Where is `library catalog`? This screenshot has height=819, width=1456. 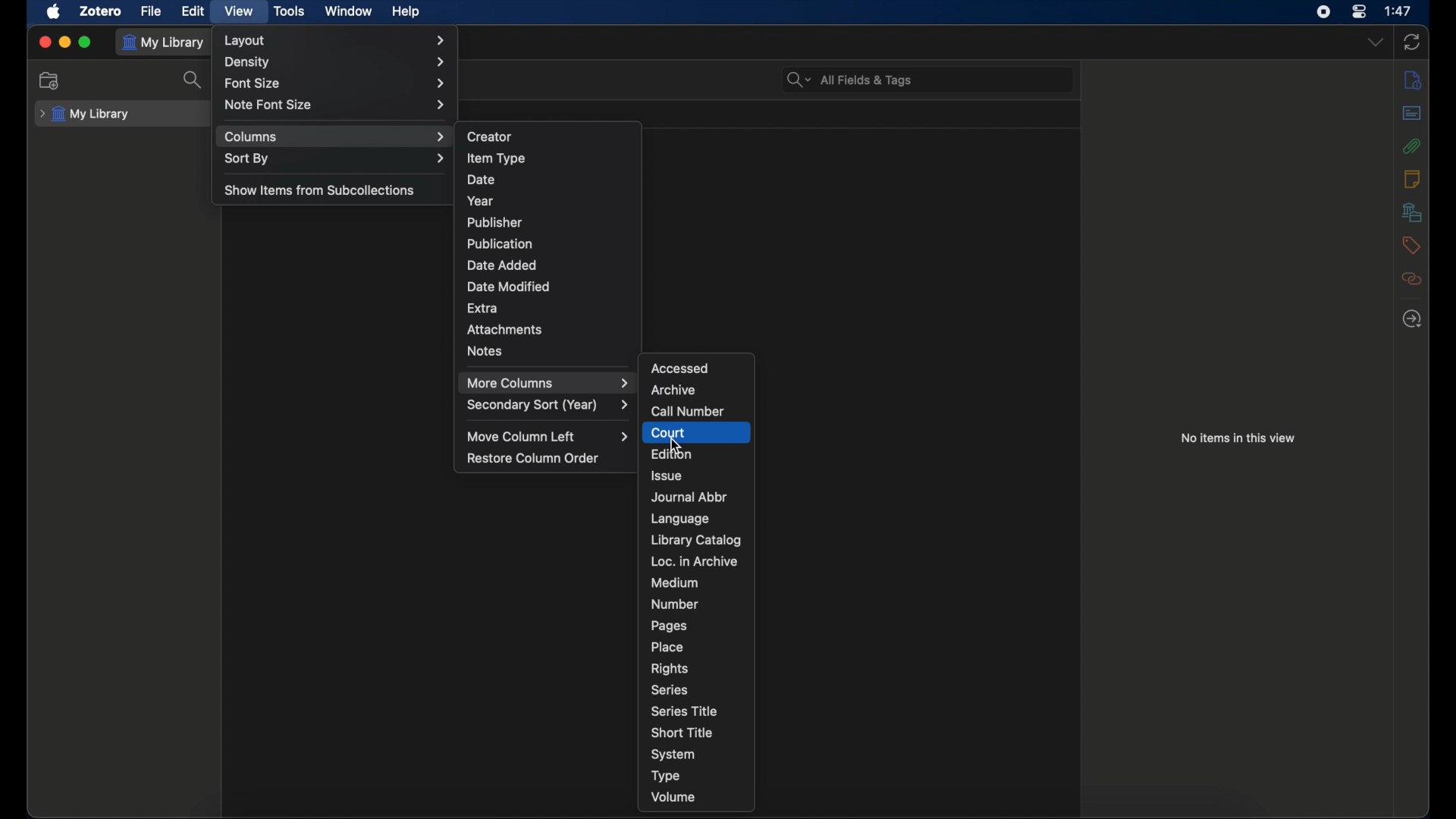
library catalog is located at coordinates (695, 540).